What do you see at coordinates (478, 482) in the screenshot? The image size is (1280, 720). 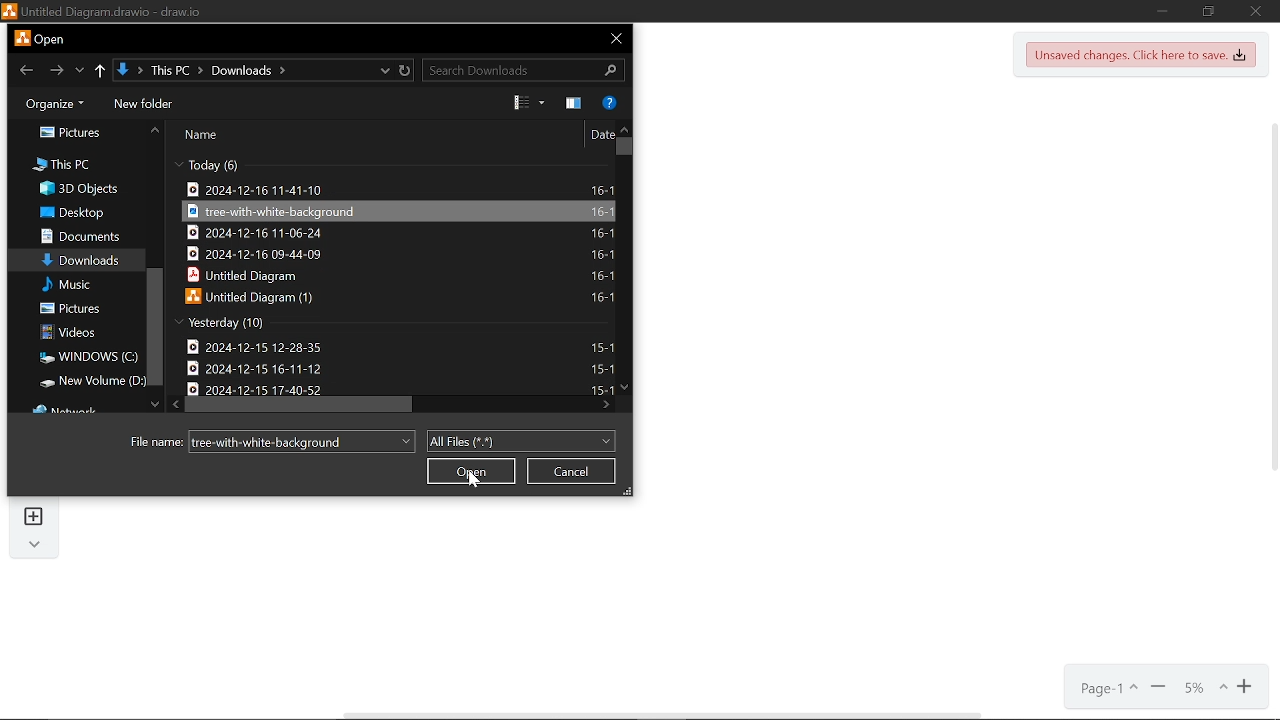 I see `cursor` at bounding box center [478, 482].